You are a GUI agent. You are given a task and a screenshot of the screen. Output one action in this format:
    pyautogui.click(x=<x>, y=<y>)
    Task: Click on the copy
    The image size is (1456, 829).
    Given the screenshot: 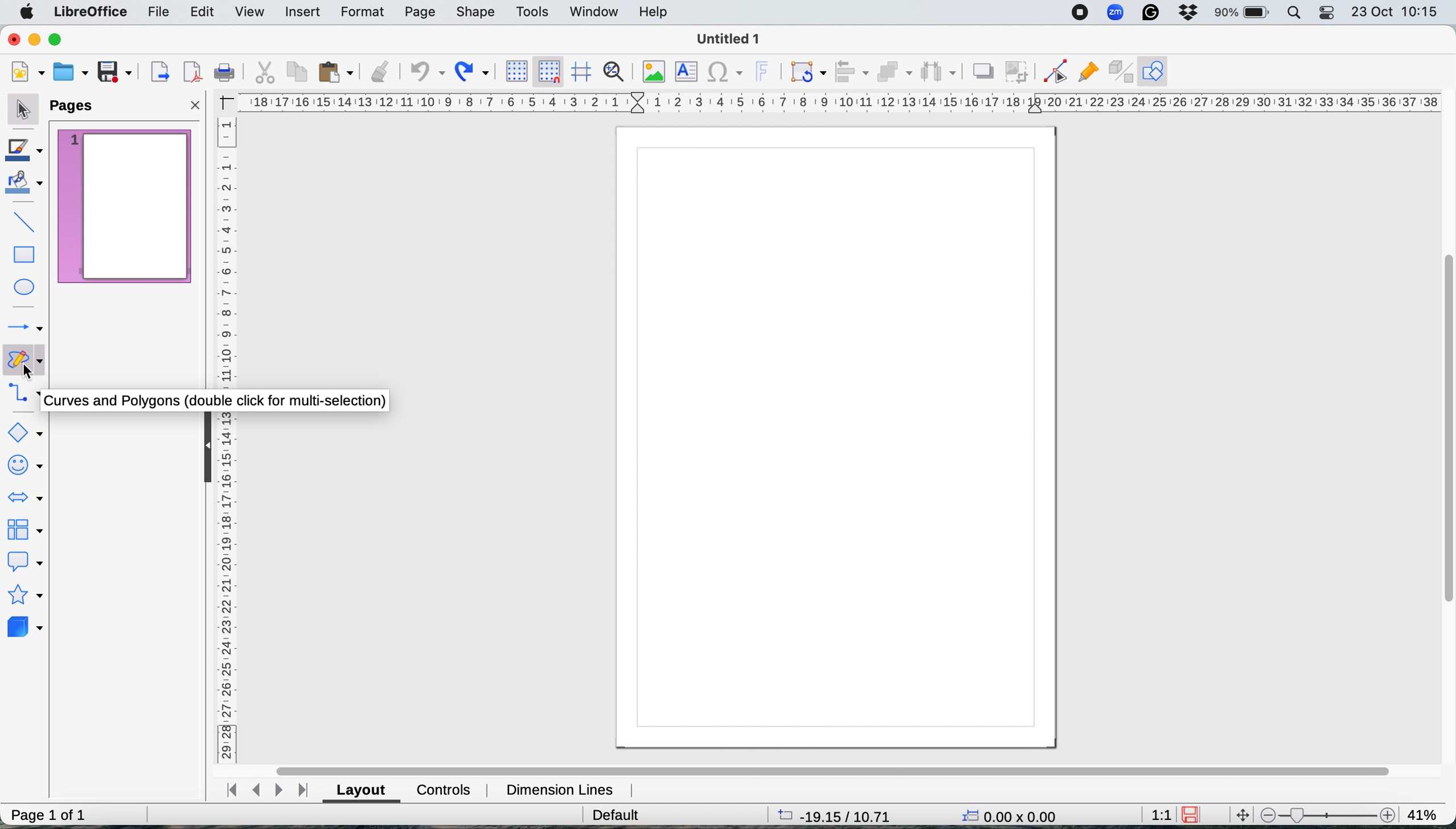 What is the action you would take?
    pyautogui.click(x=298, y=72)
    